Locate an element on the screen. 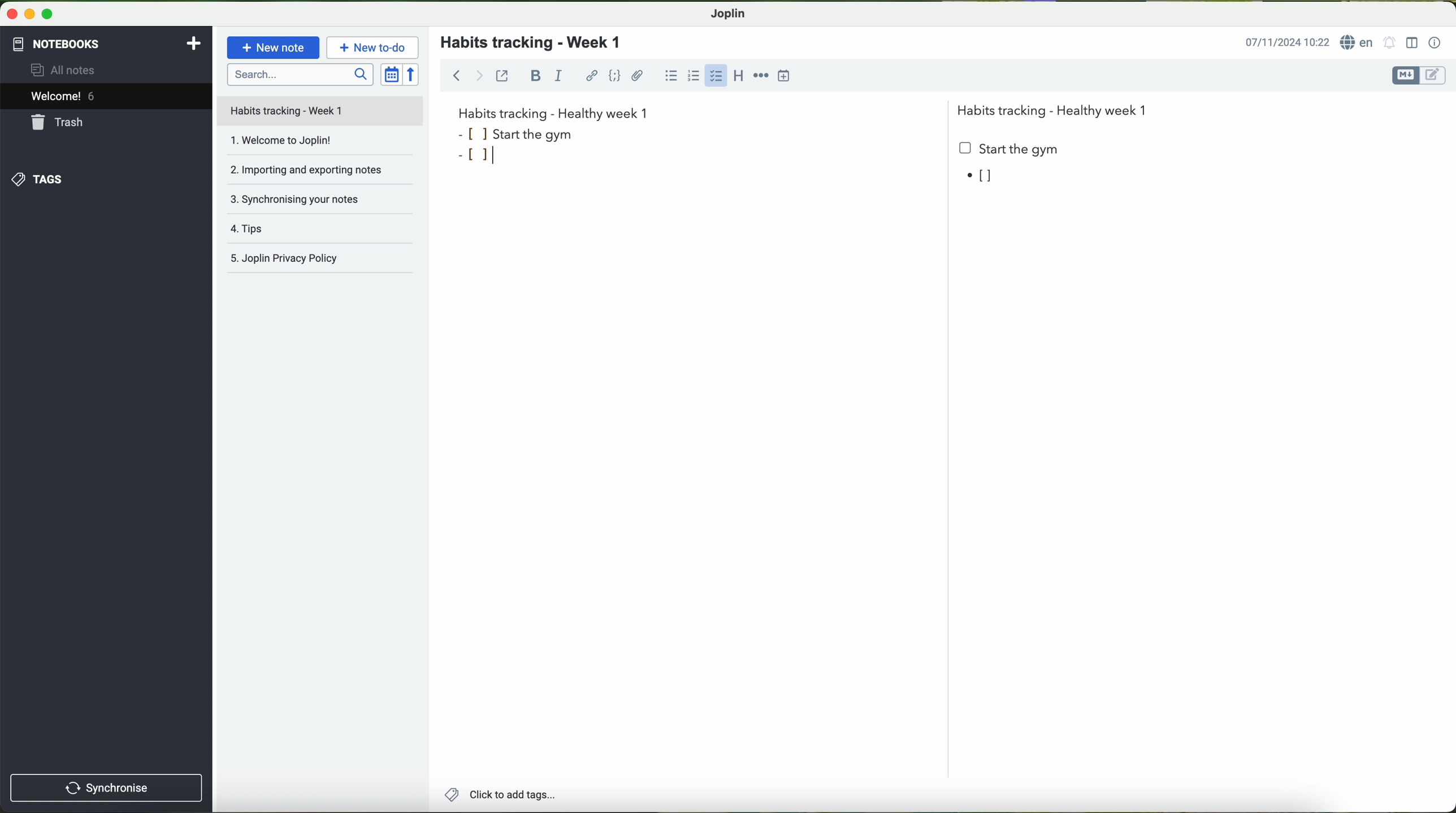  new note button is located at coordinates (274, 47).